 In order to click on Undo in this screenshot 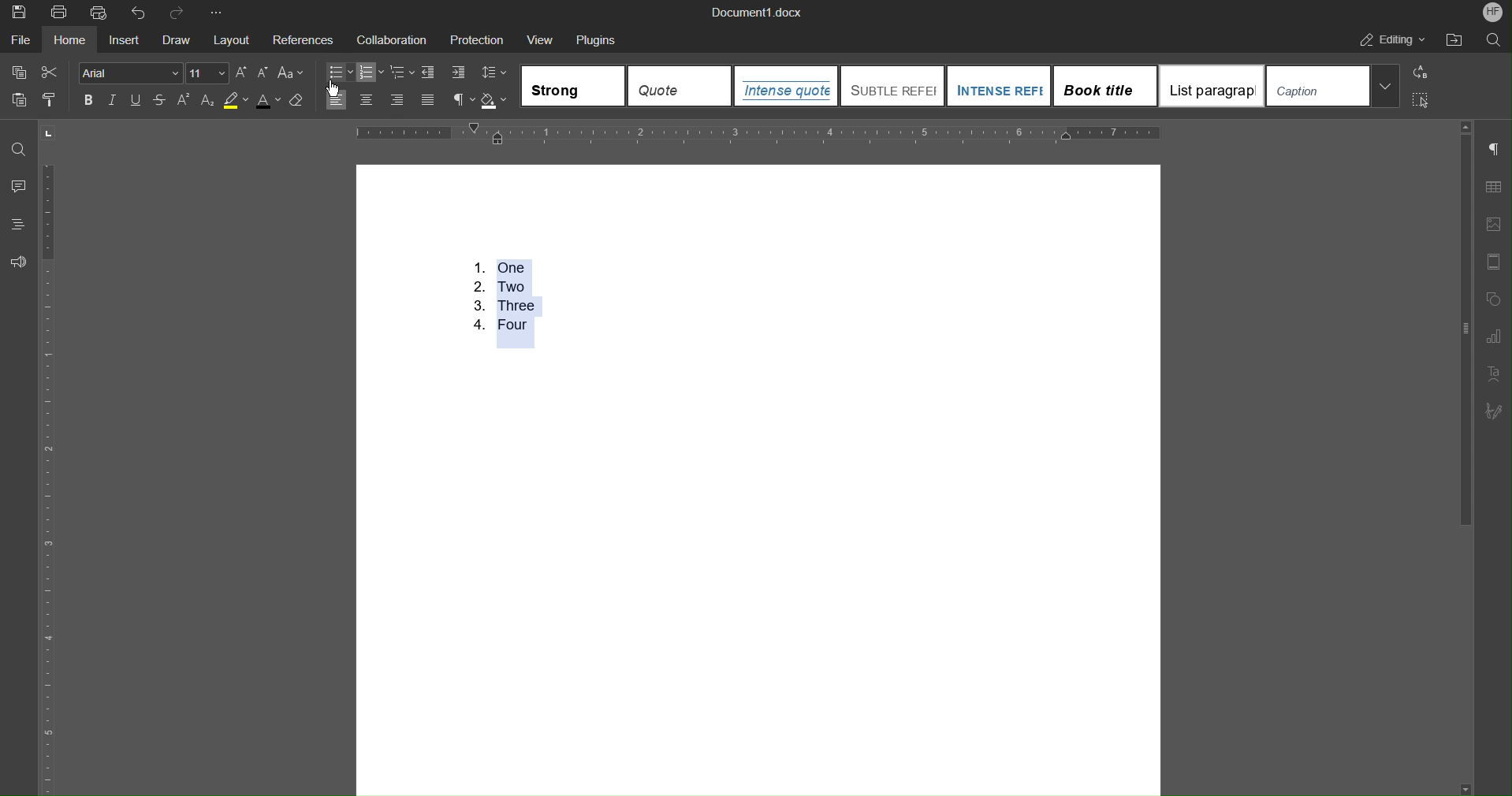, I will do `click(139, 11)`.